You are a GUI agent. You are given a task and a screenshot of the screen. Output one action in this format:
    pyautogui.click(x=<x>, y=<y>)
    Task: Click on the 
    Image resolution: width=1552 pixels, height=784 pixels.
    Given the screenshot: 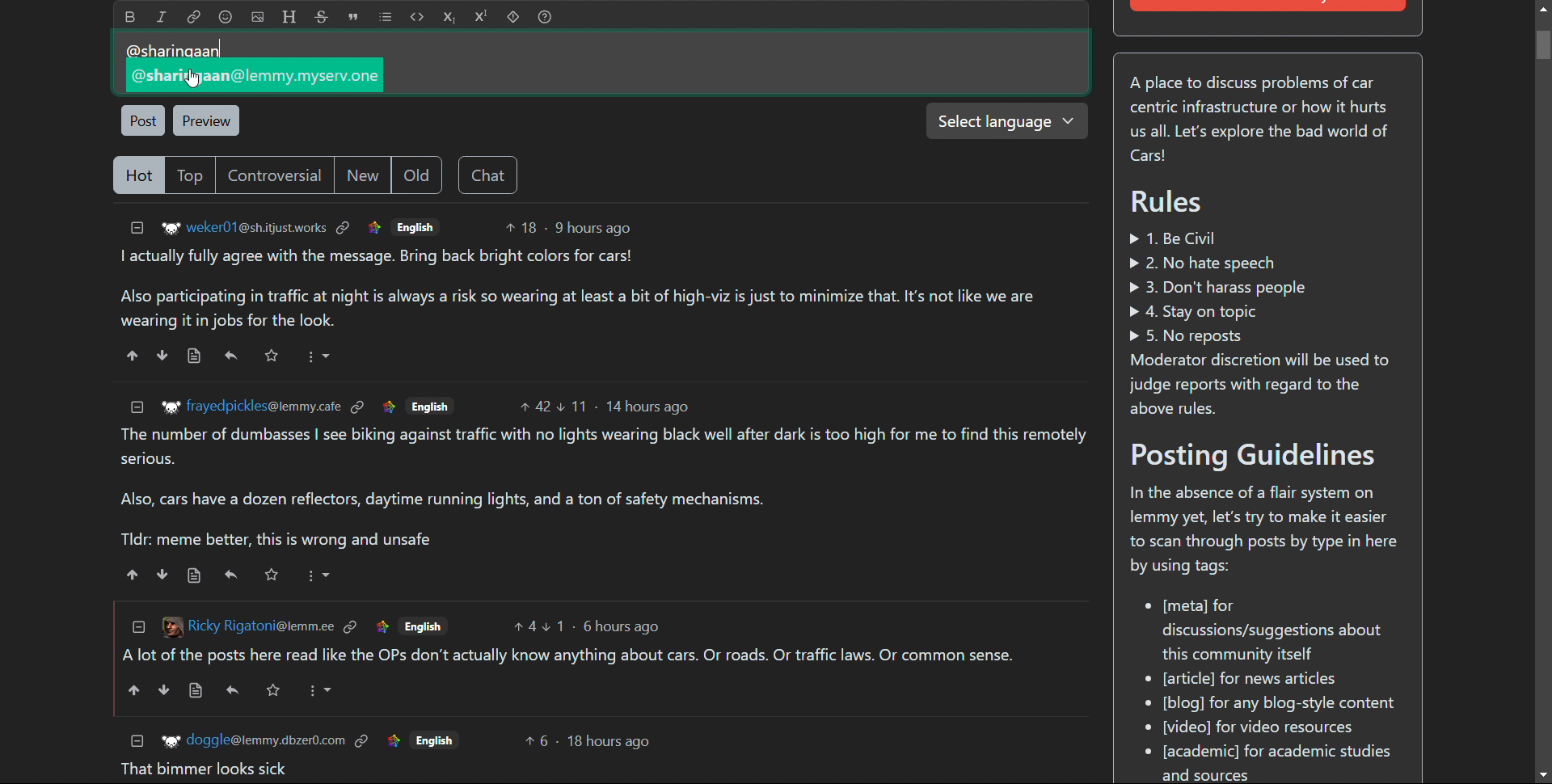 What is the action you would take?
    pyautogui.click(x=272, y=689)
    